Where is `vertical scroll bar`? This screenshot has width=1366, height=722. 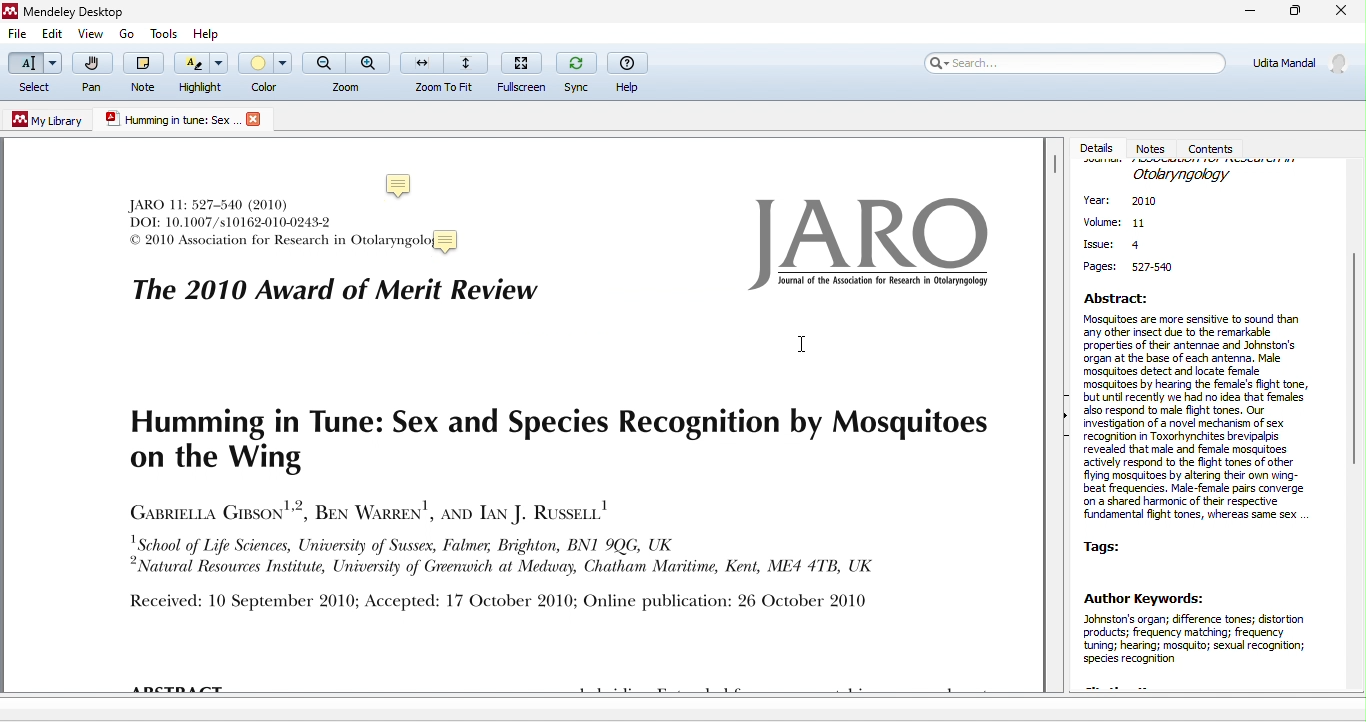 vertical scroll bar is located at coordinates (1353, 354).